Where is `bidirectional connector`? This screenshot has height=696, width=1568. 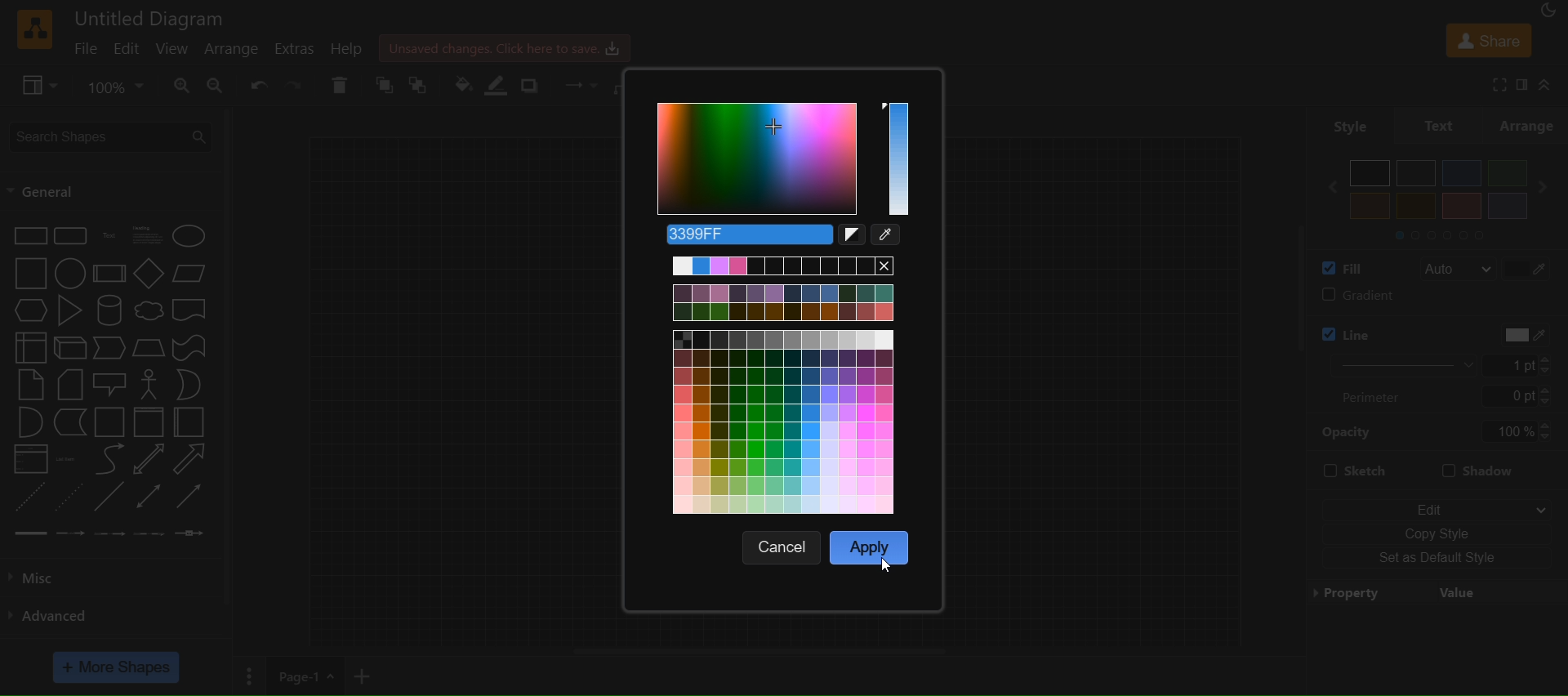 bidirectional connector is located at coordinates (151, 496).